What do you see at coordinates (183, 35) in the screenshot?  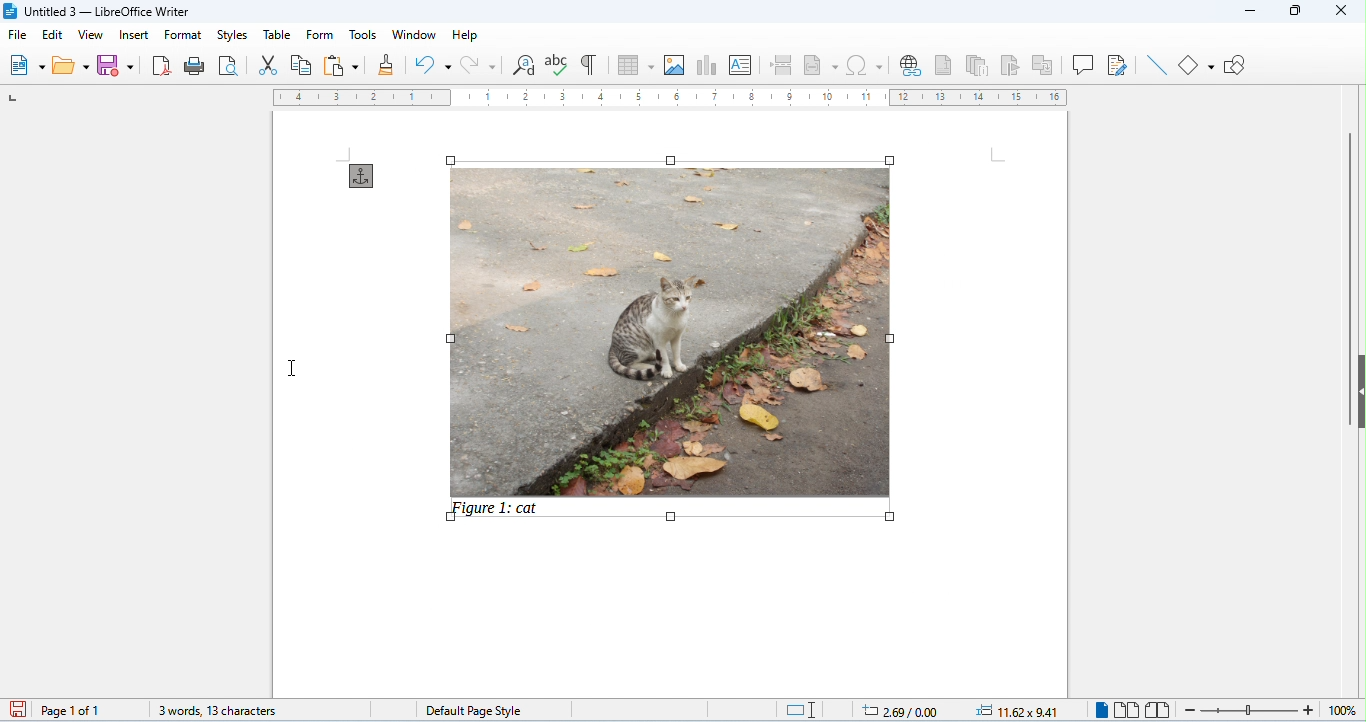 I see `format` at bounding box center [183, 35].